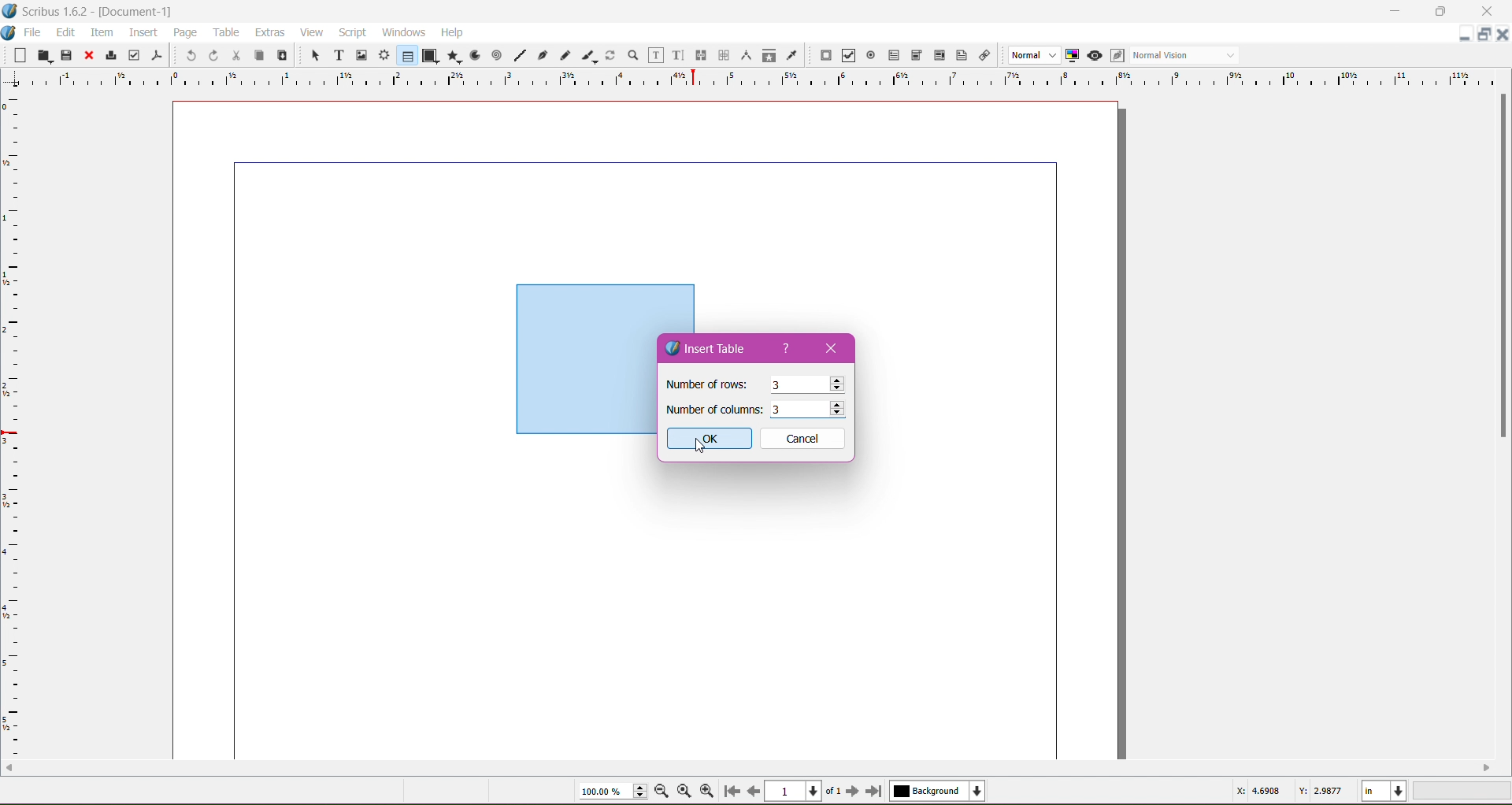 This screenshot has width=1512, height=805. Describe the element at coordinates (406, 55) in the screenshot. I see `Tables` at that location.